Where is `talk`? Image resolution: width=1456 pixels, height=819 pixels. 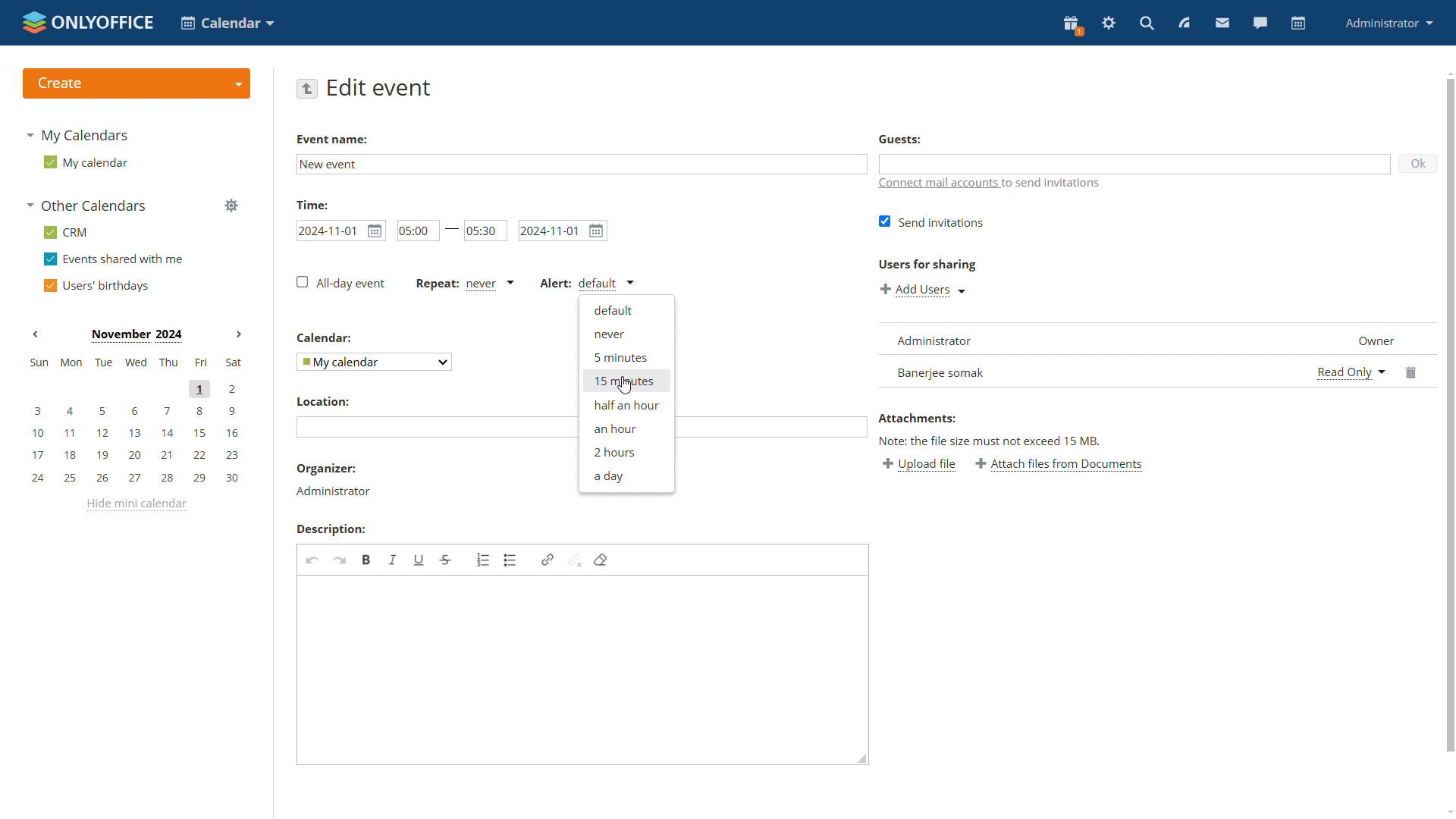
talk is located at coordinates (1260, 23).